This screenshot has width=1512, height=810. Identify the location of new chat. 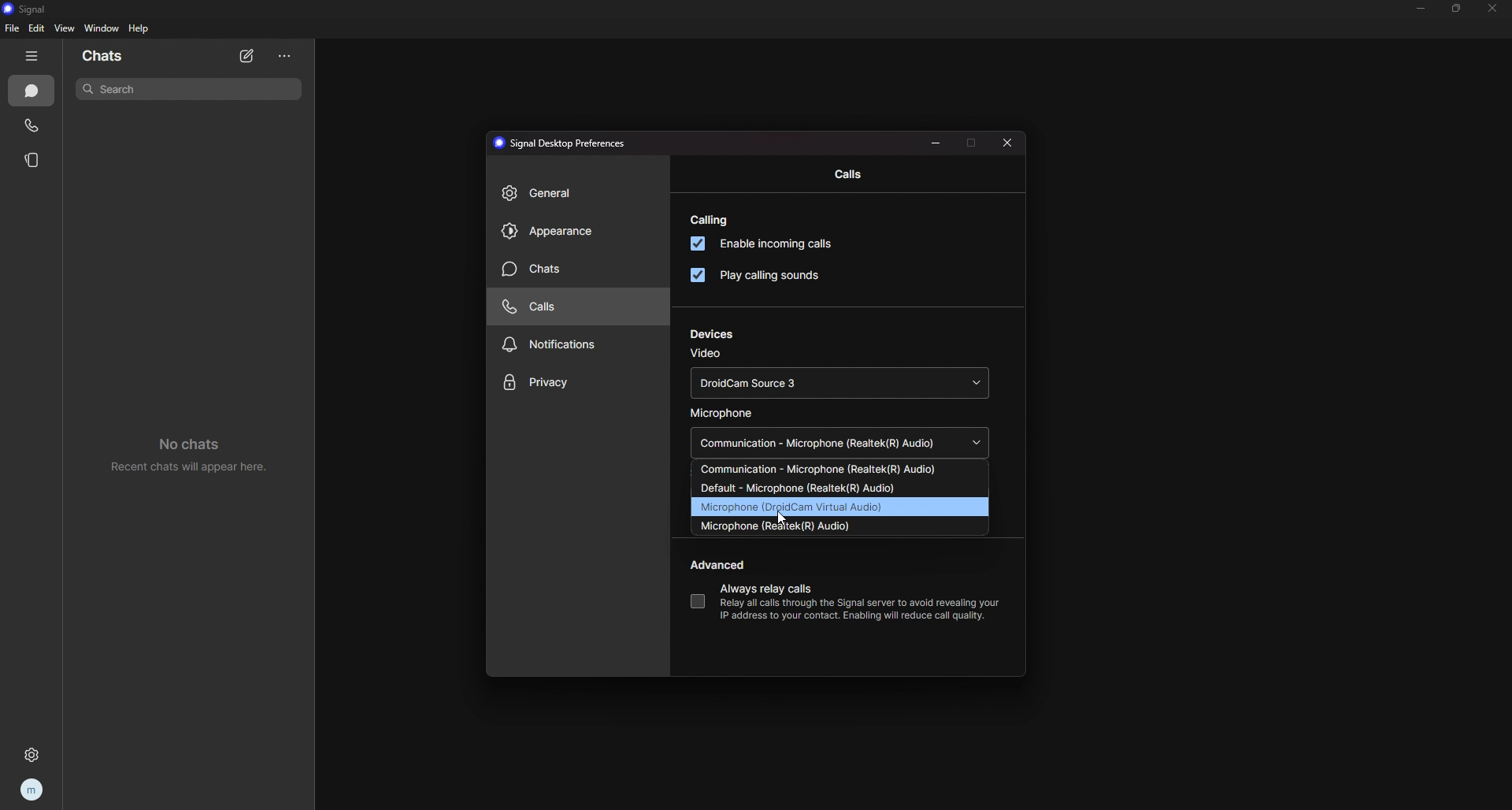
(248, 58).